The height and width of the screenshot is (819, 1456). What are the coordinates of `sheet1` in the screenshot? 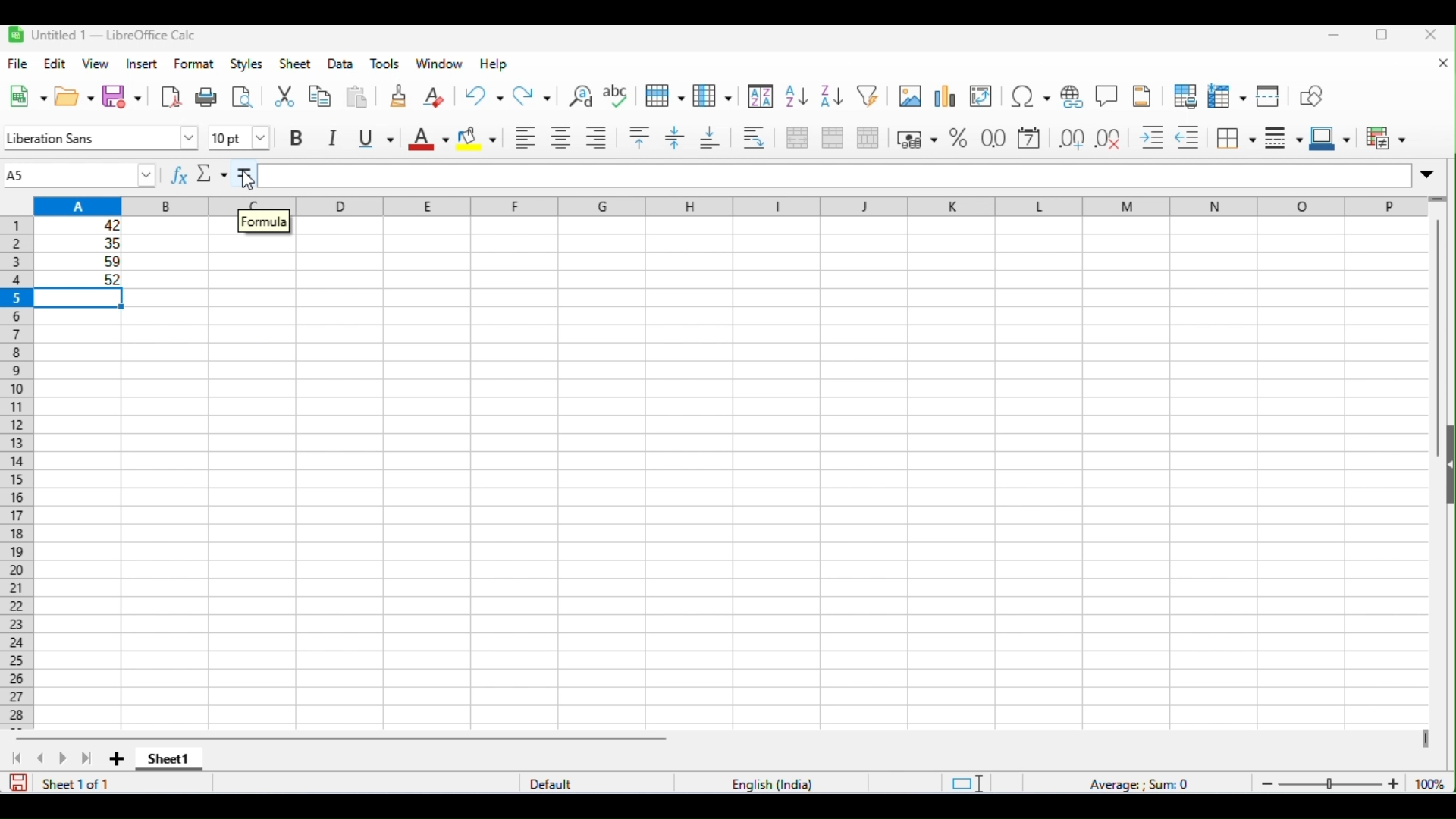 It's located at (169, 761).